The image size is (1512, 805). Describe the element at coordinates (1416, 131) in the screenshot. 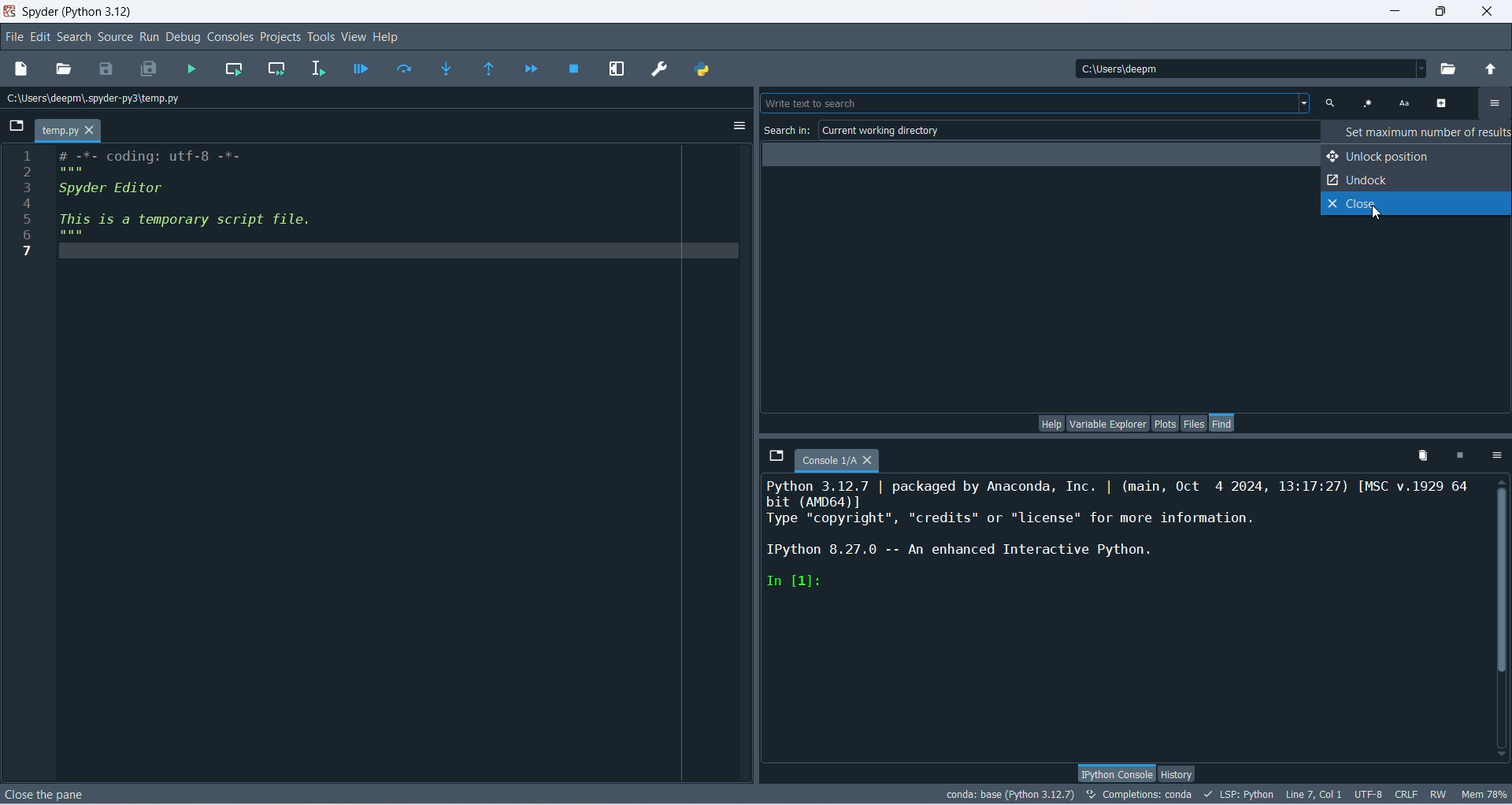

I see `set maximum numbers of results` at that location.